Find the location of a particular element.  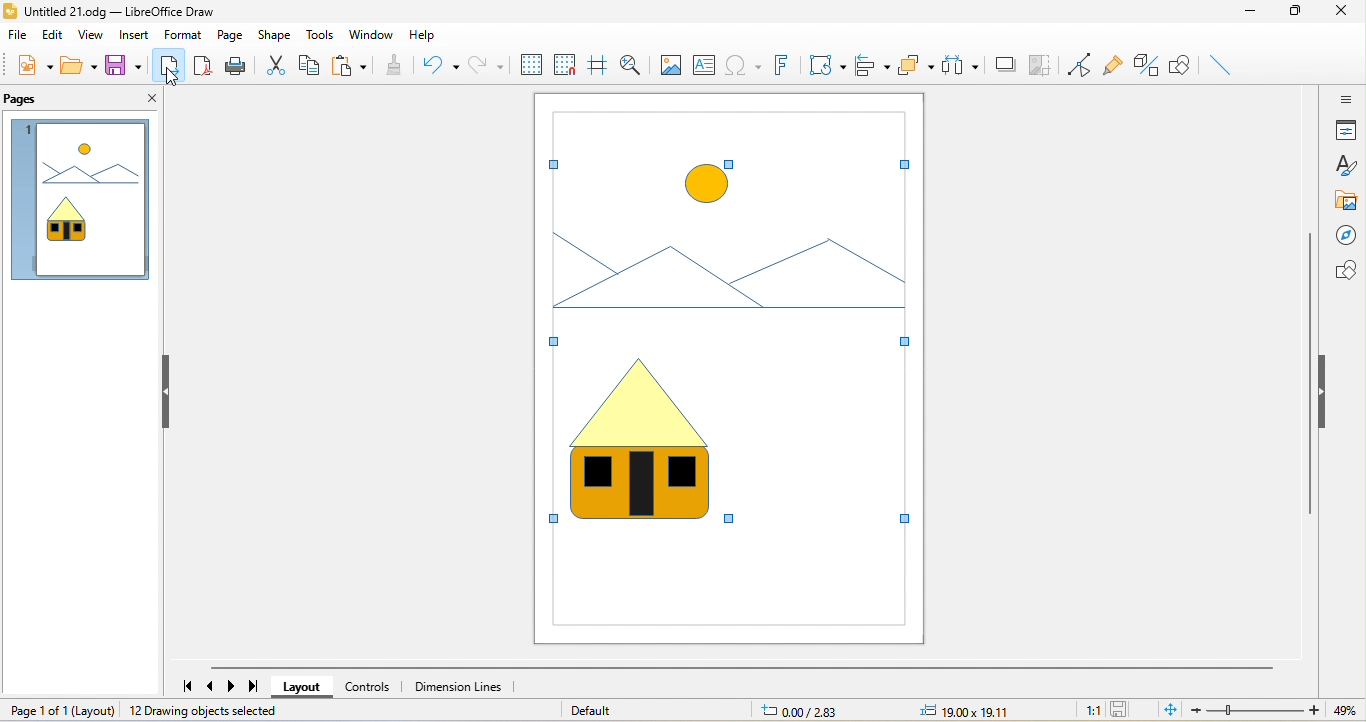

page is located at coordinates (231, 35).